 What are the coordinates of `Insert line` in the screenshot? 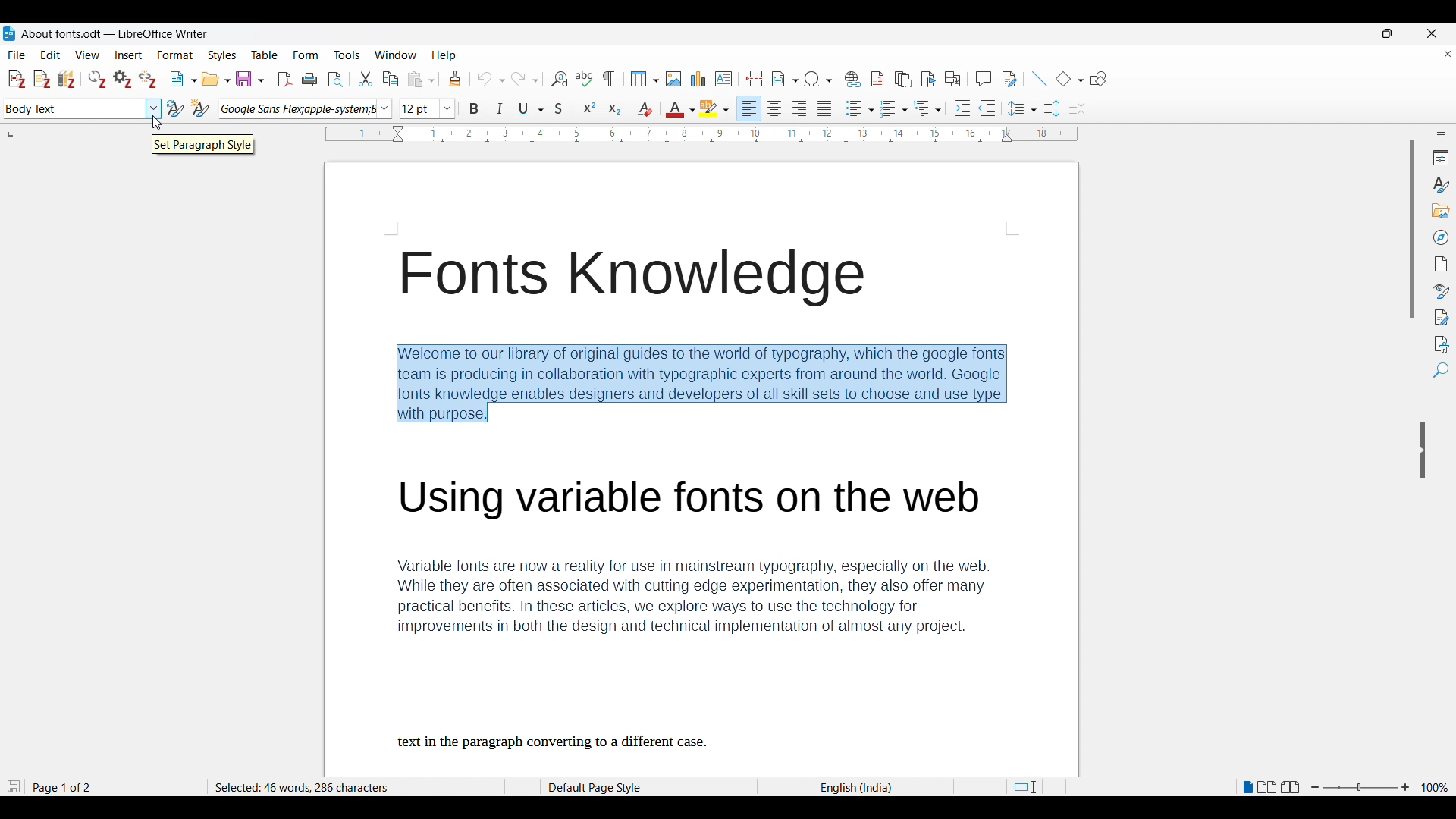 It's located at (1040, 79).